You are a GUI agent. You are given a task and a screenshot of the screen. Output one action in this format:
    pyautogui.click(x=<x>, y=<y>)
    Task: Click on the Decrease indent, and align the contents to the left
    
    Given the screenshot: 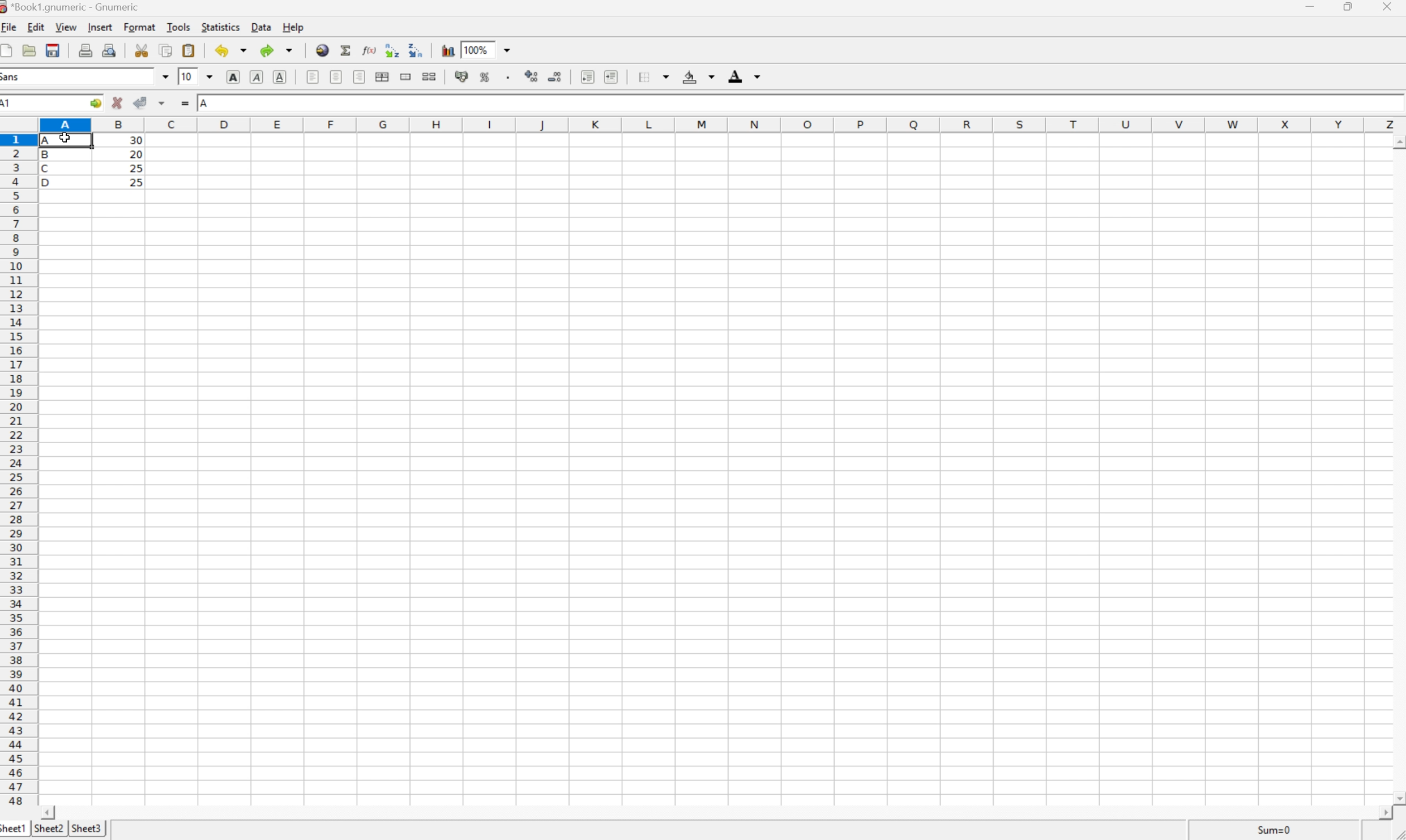 What is the action you would take?
    pyautogui.click(x=587, y=78)
    